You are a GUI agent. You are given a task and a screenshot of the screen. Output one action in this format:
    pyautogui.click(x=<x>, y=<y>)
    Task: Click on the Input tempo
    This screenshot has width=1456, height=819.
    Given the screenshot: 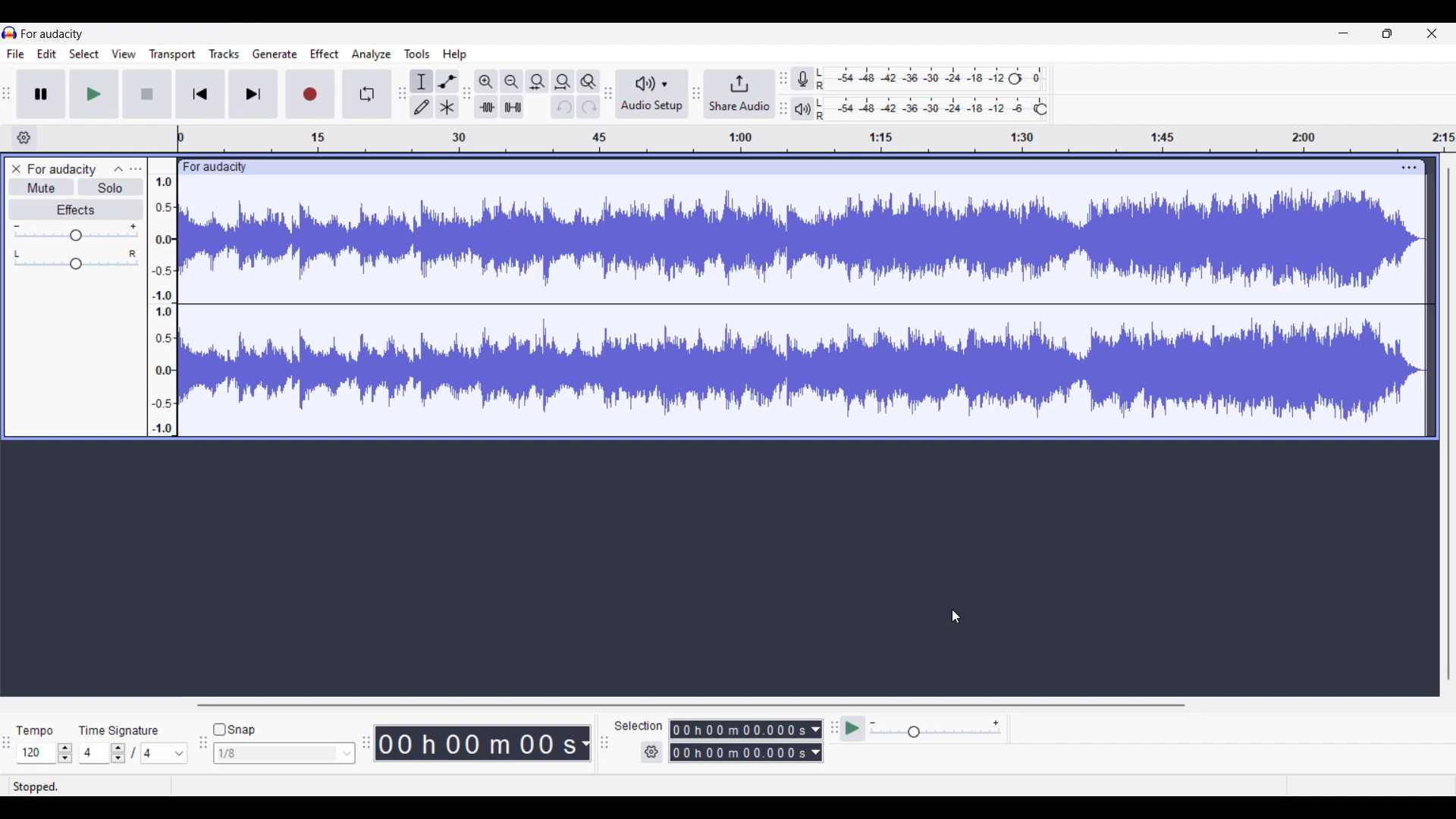 What is the action you would take?
    pyautogui.click(x=36, y=753)
    